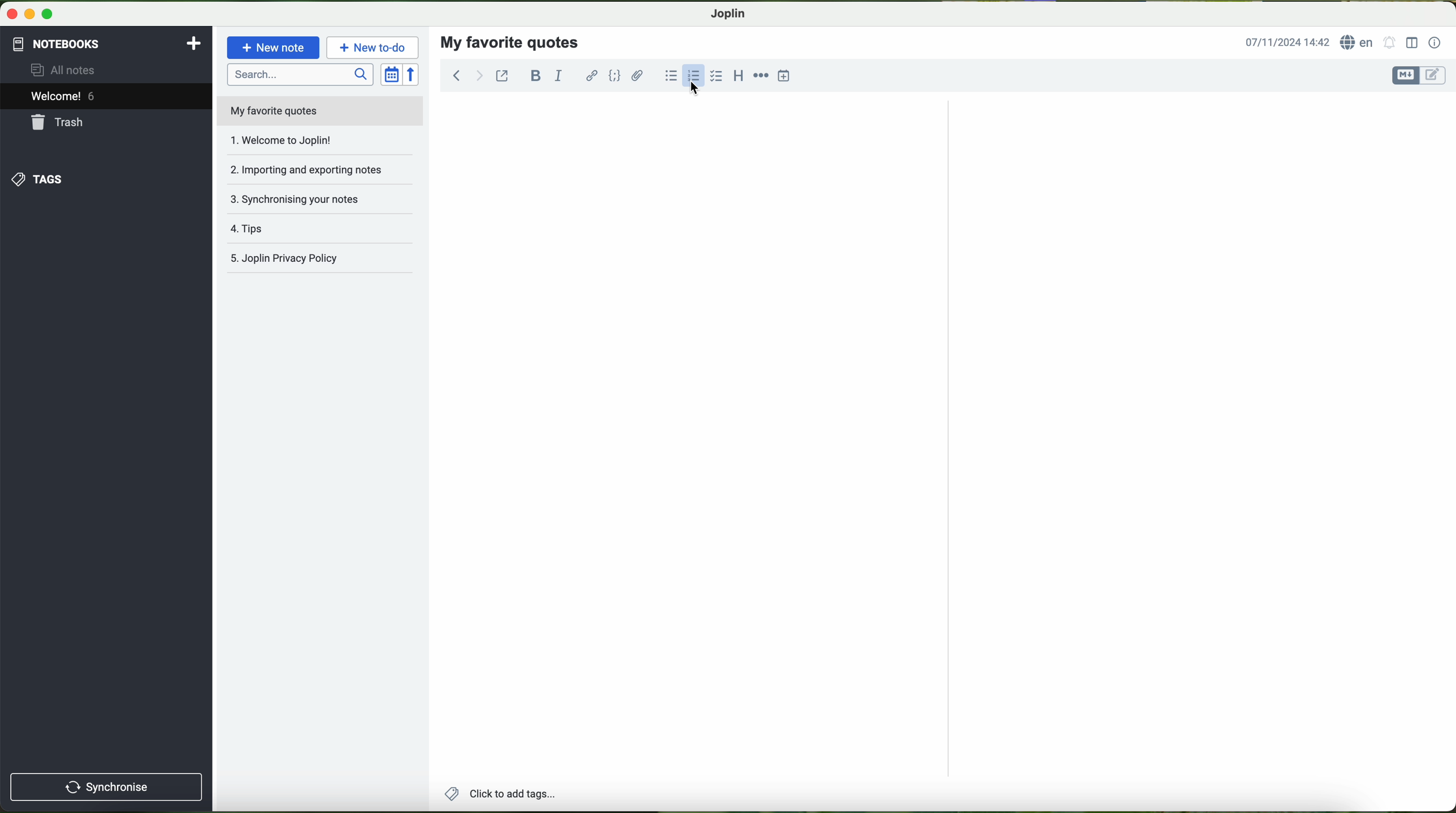 This screenshot has height=813, width=1456. Describe the element at coordinates (110, 96) in the screenshot. I see `welcome 6` at that location.